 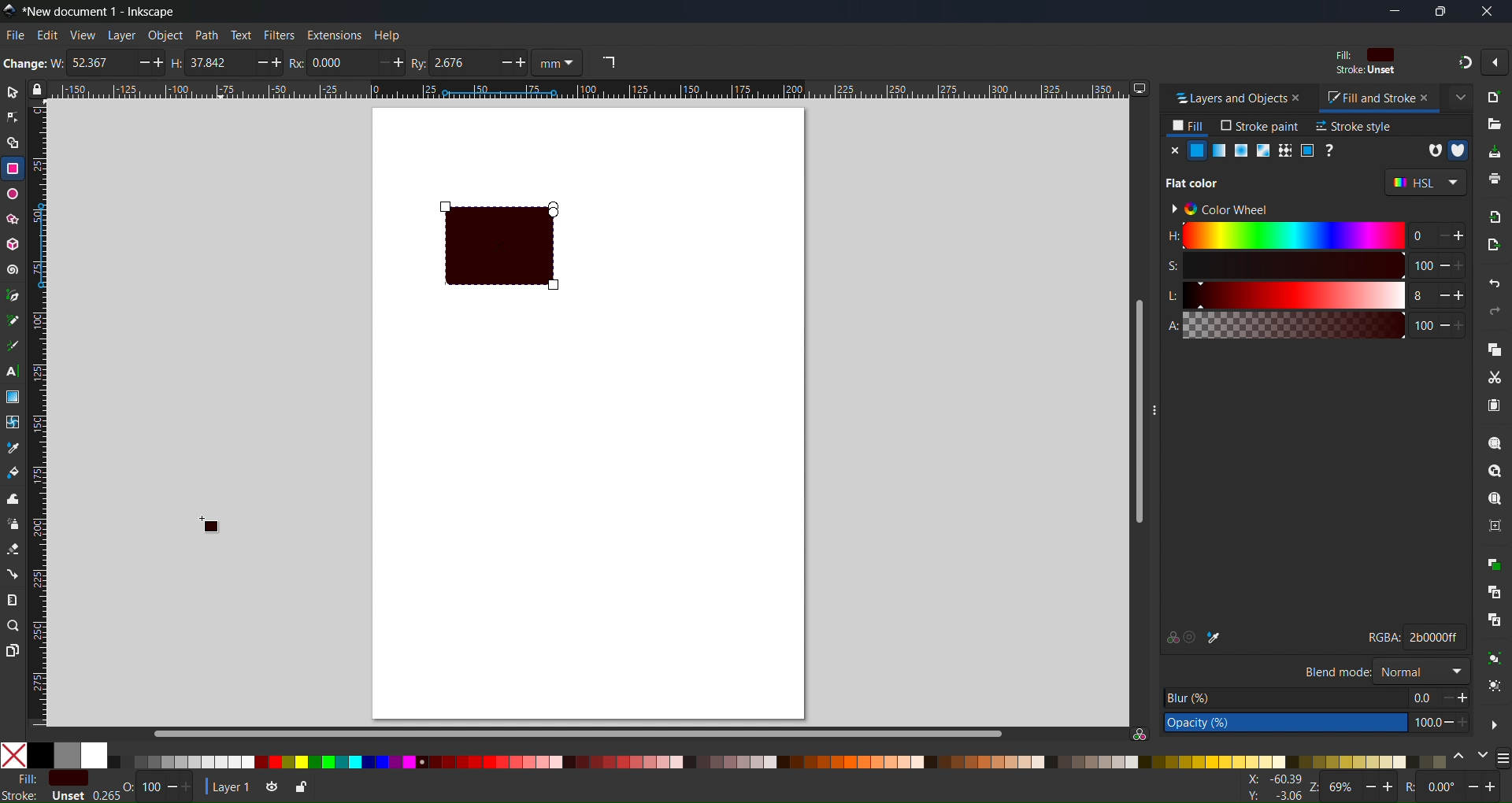 What do you see at coordinates (1299, 98) in the screenshot?
I see `close` at bounding box center [1299, 98].